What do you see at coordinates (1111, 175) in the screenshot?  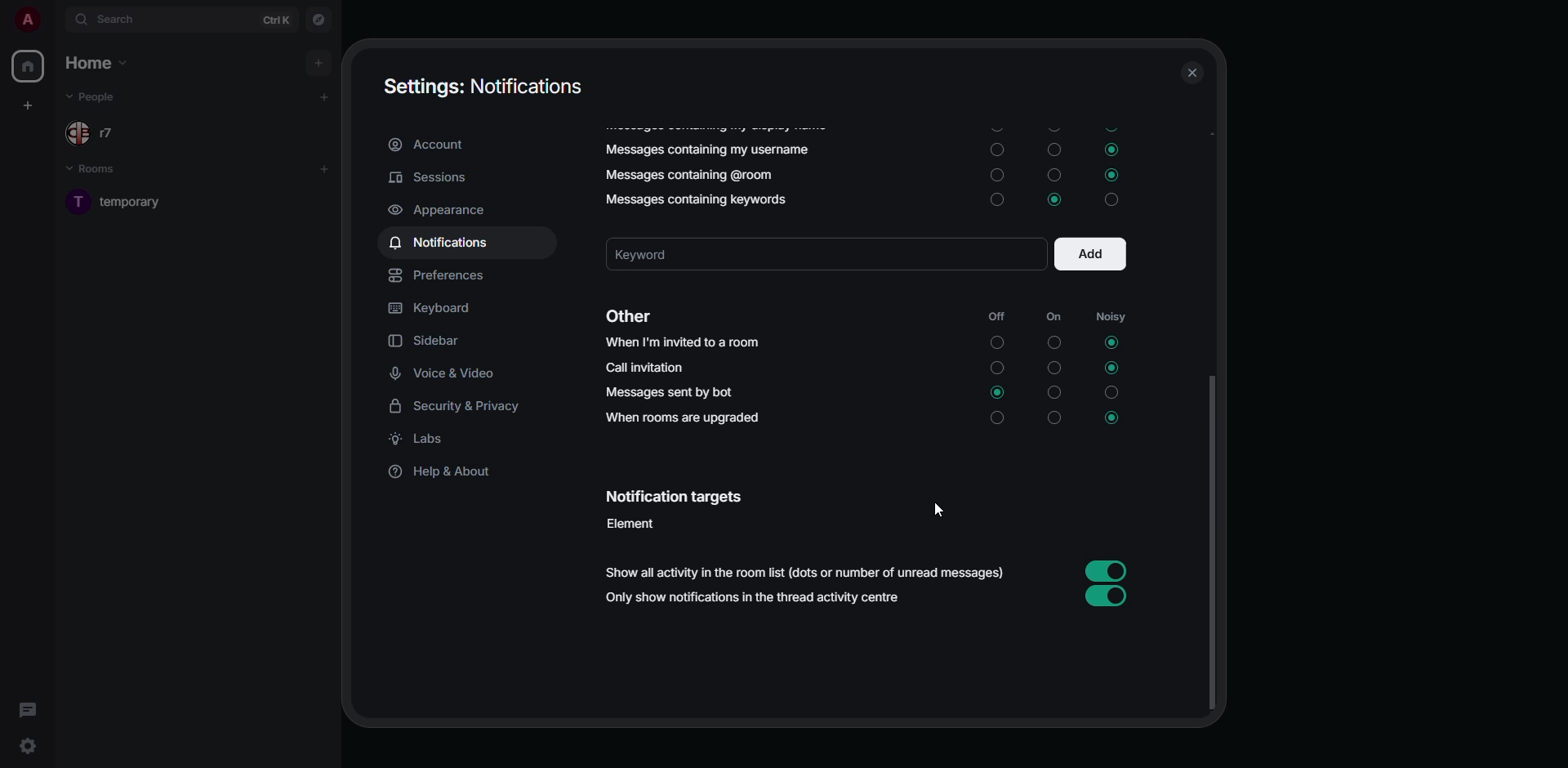 I see `selected` at bounding box center [1111, 175].